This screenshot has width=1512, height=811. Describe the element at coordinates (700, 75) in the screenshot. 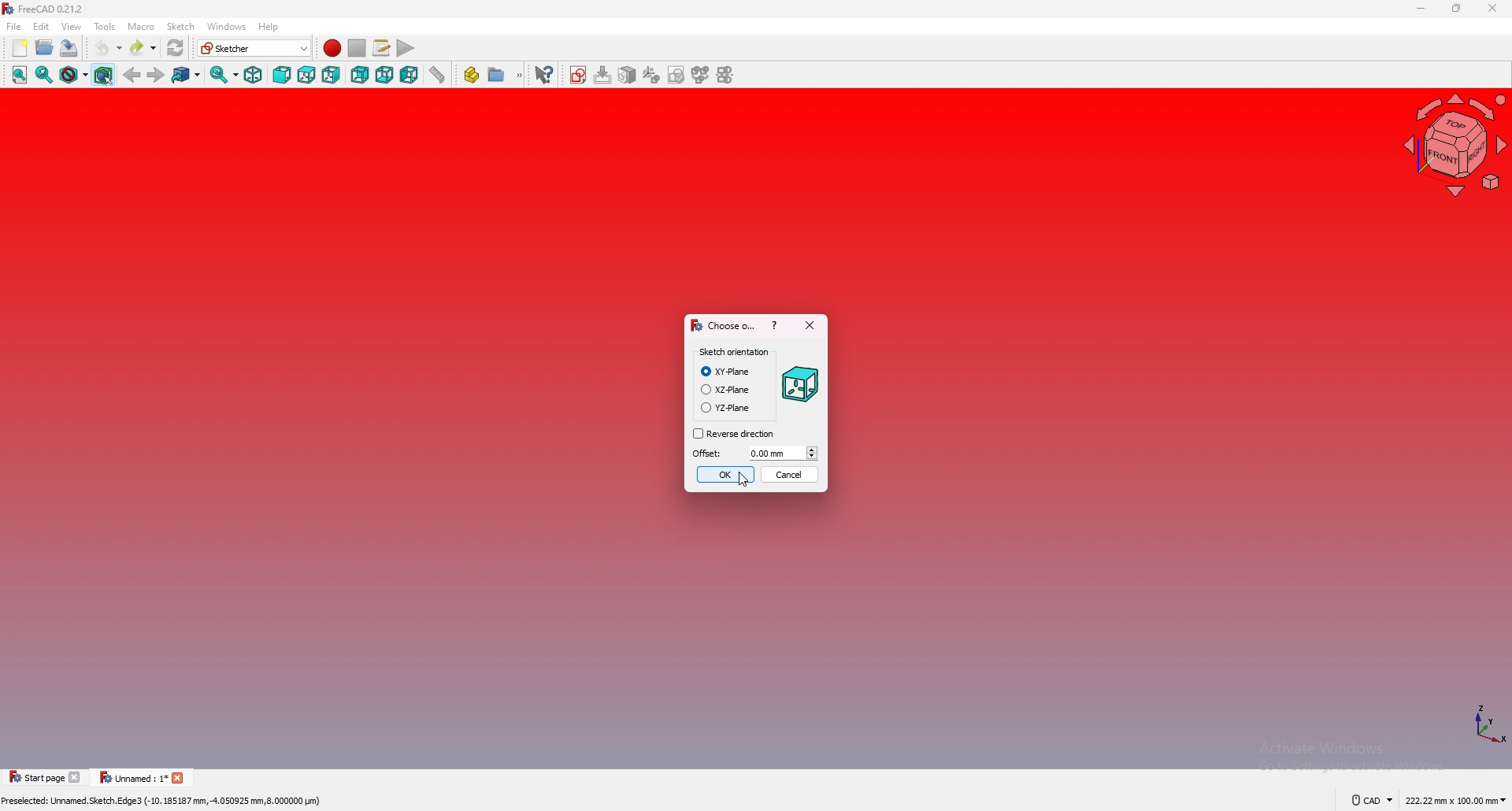

I see `merge sketch` at that location.